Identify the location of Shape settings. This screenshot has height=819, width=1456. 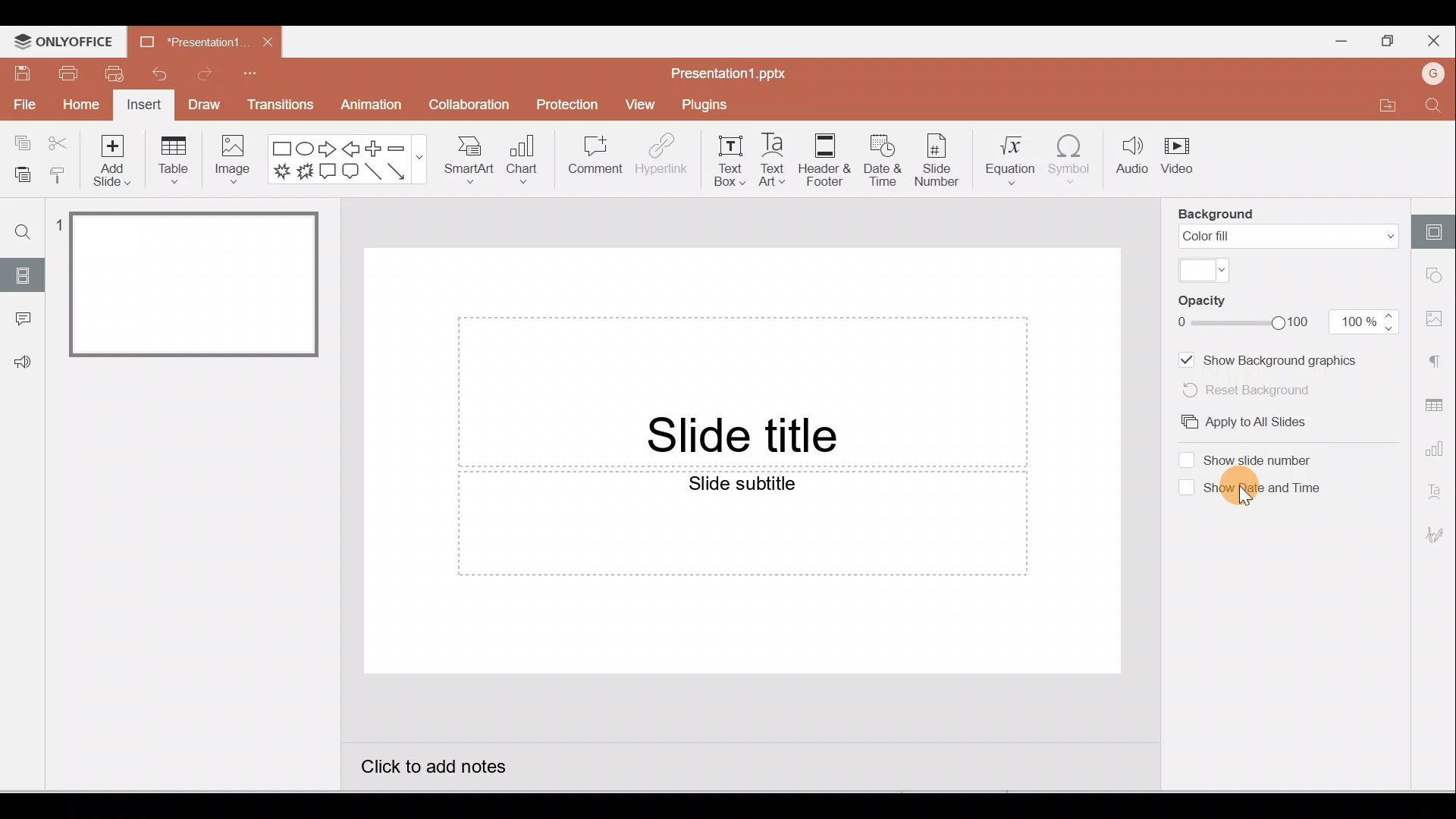
(1439, 277).